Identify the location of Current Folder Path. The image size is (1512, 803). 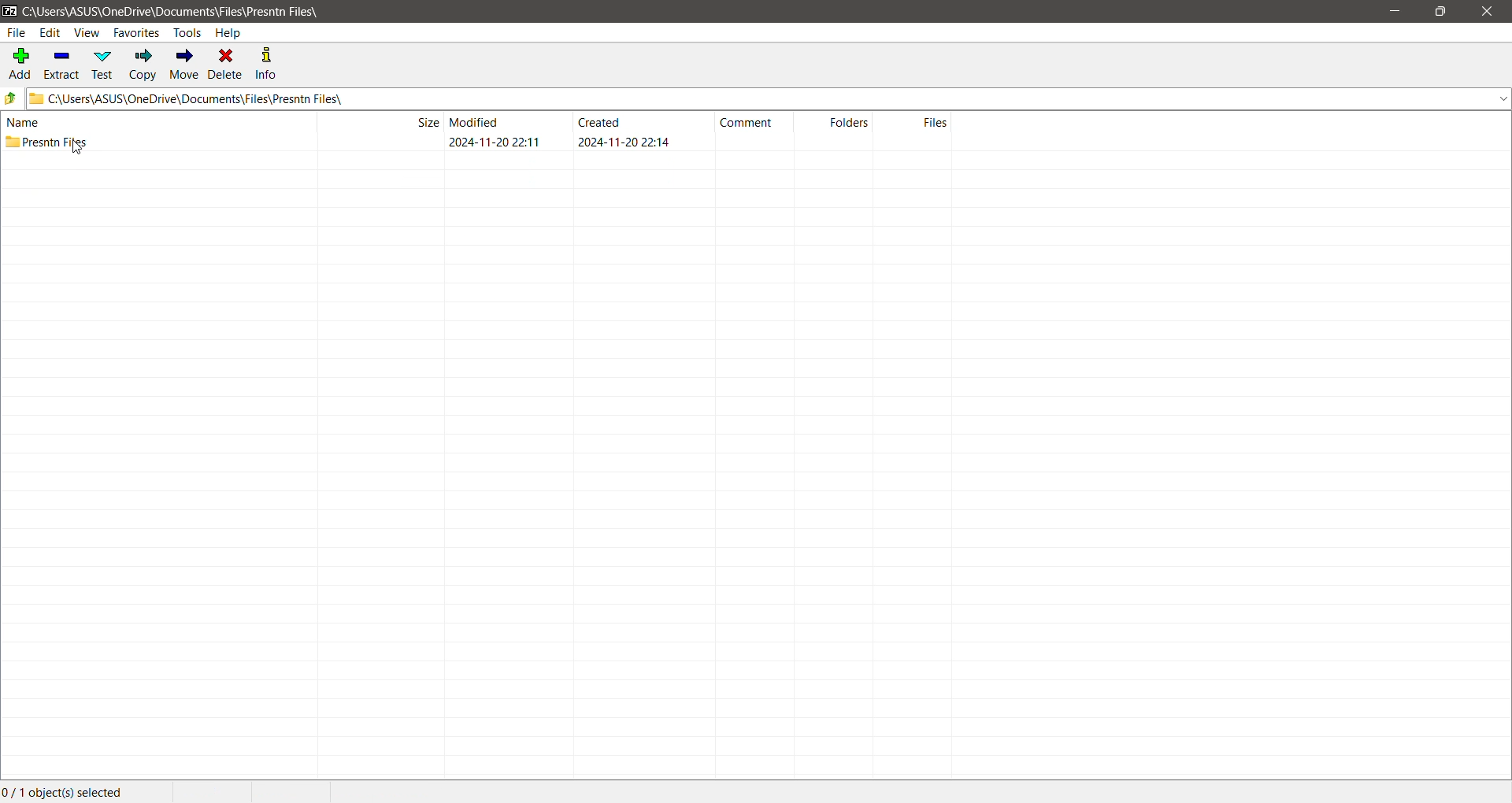
(770, 98).